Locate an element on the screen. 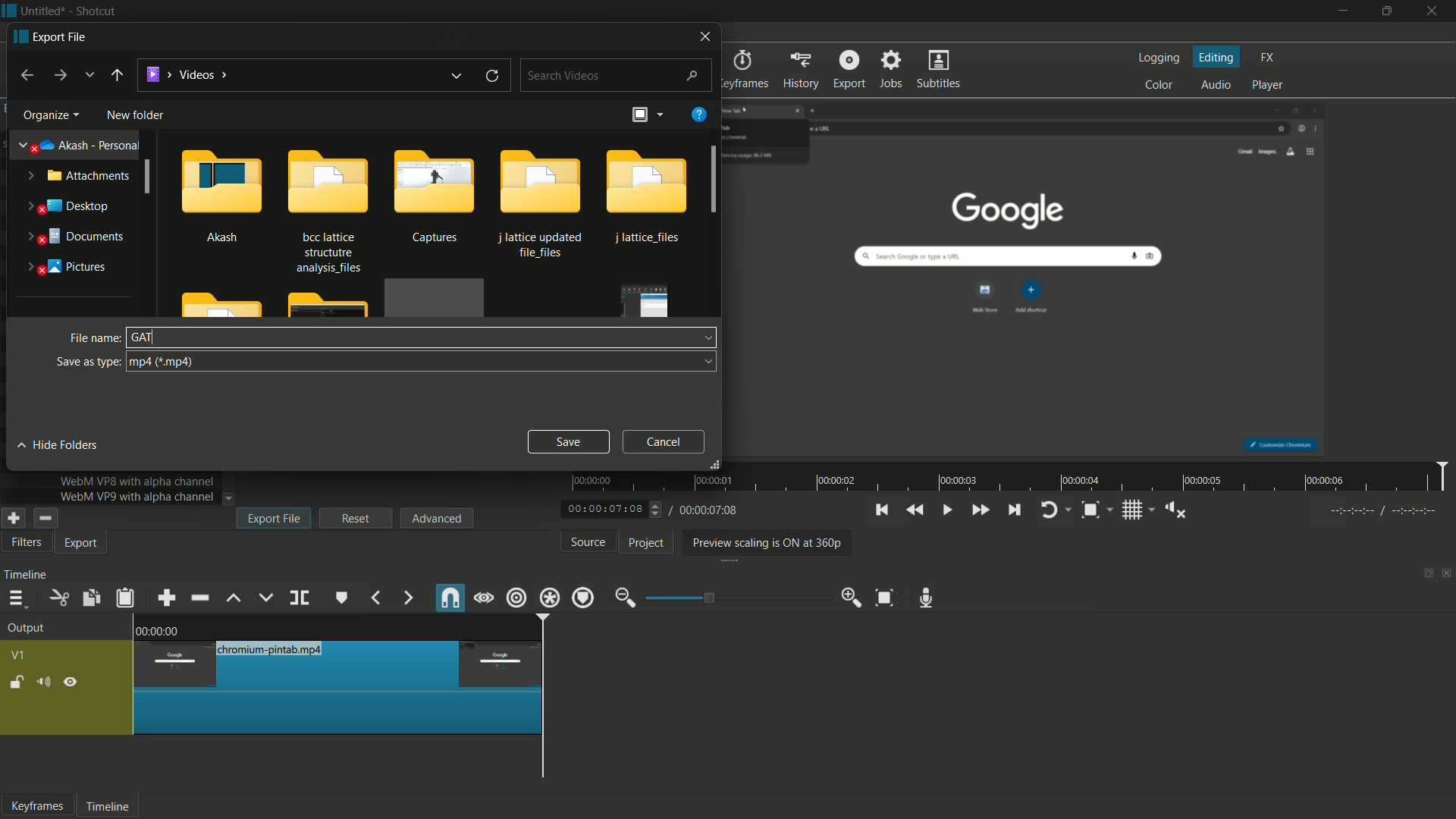  back is located at coordinates (116, 75).